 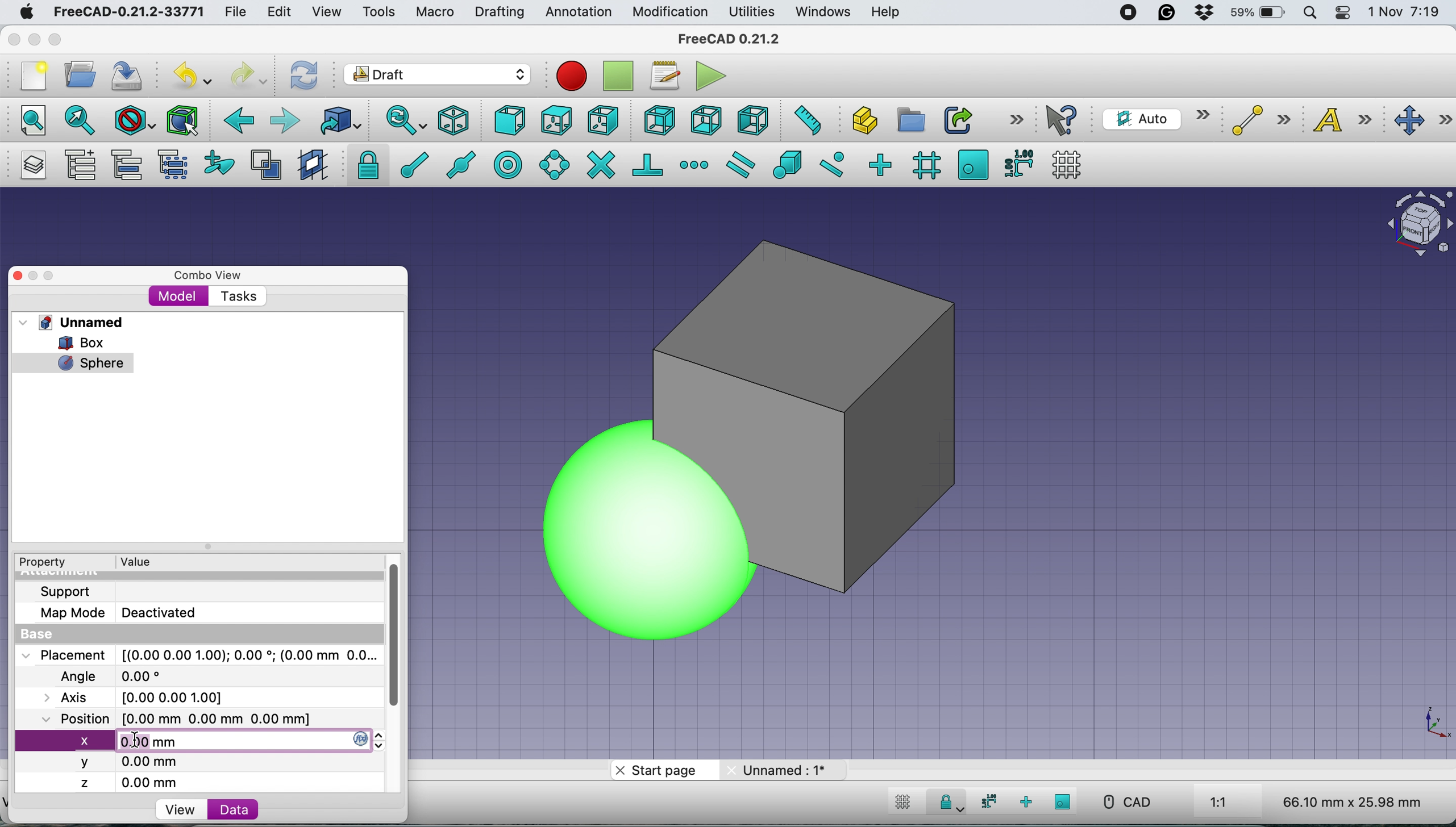 What do you see at coordinates (340, 120) in the screenshot?
I see `go to linked object` at bounding box center [340, 120].